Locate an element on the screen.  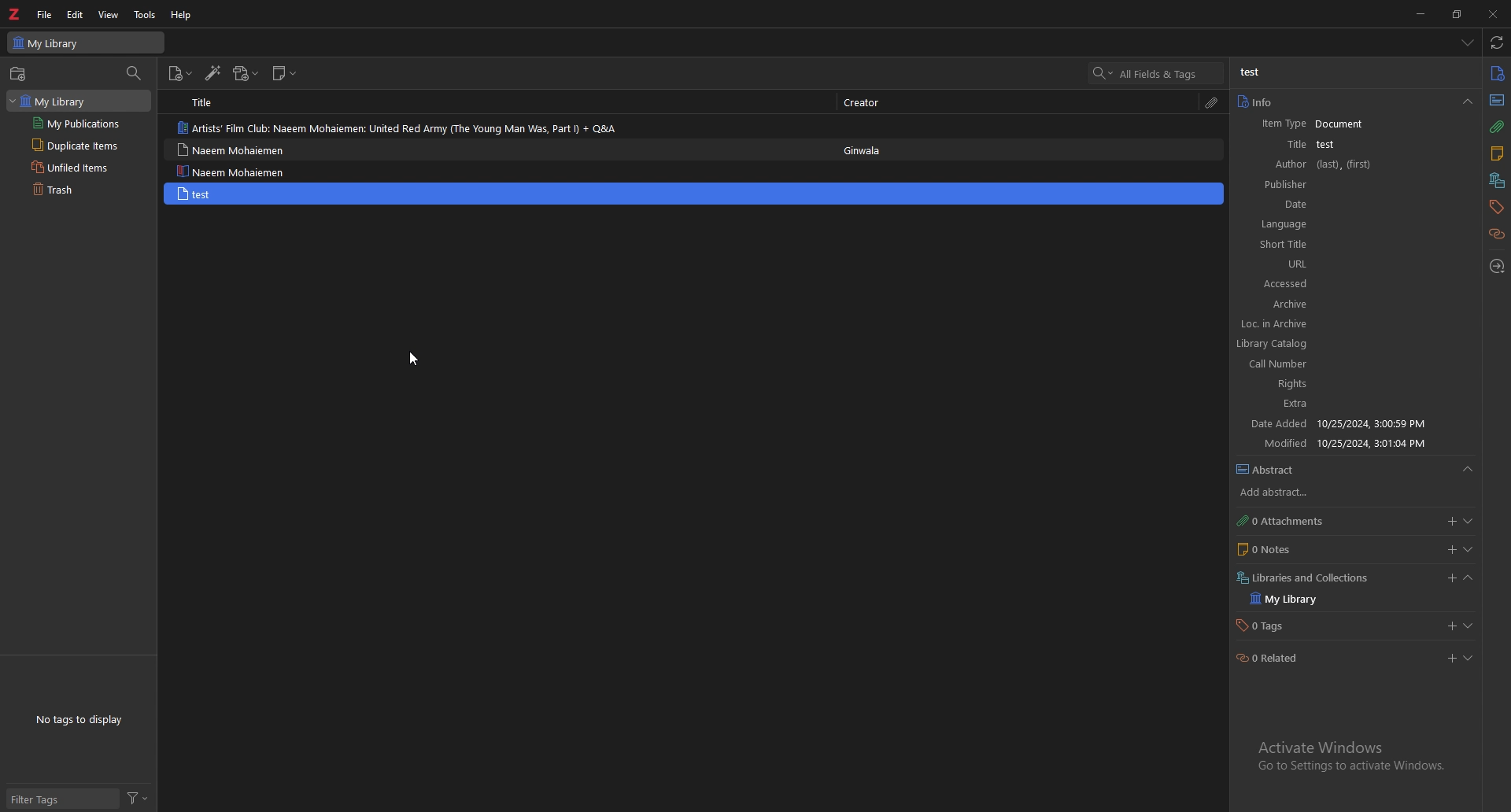
close is located at coordinates (1494, 14).